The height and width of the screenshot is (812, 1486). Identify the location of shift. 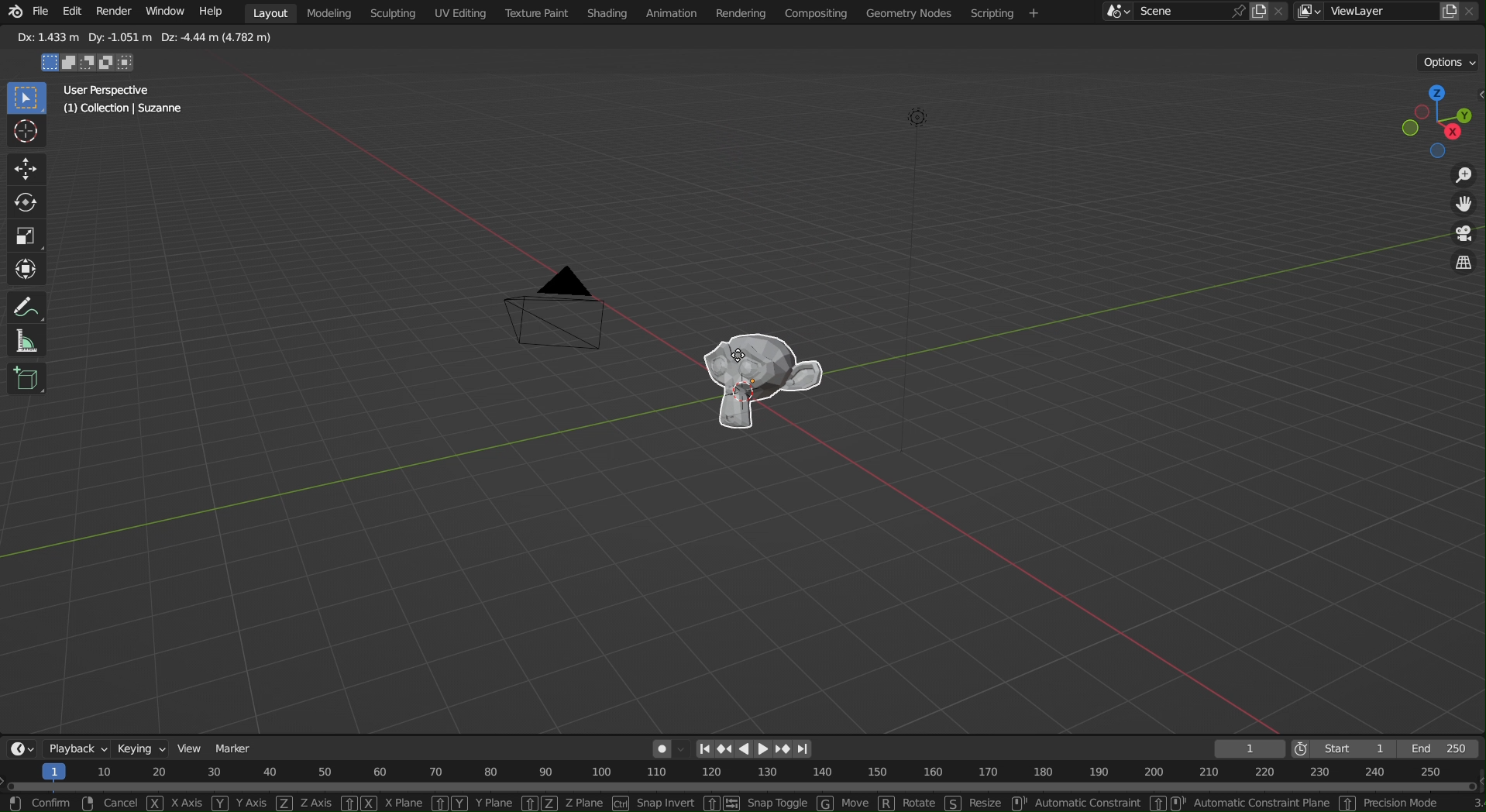
(1346, 804).